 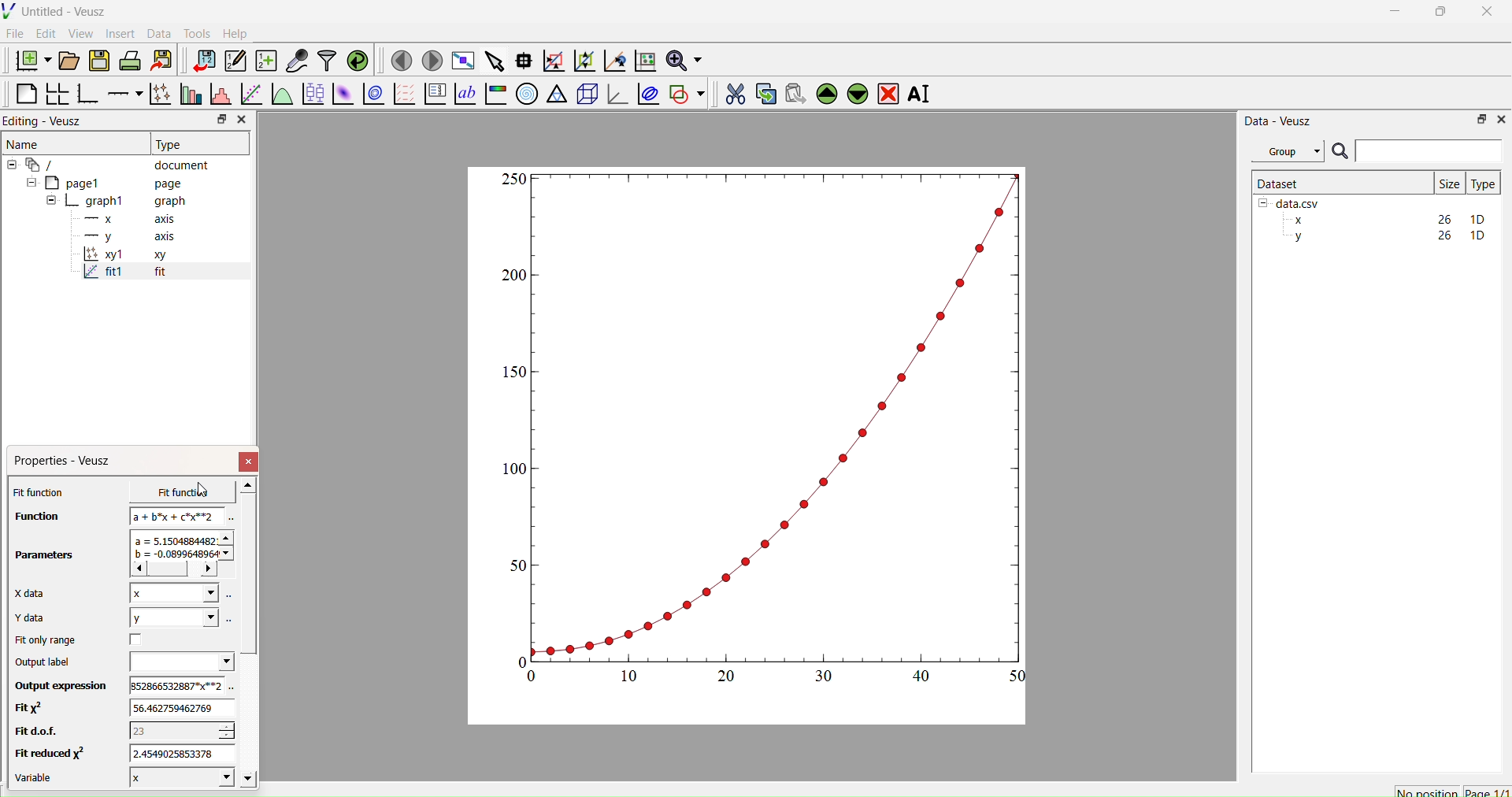 What do you see at coordinates (494, 94) in the screenshot?
I see `Image color bar` at bounding box center [494, 94].